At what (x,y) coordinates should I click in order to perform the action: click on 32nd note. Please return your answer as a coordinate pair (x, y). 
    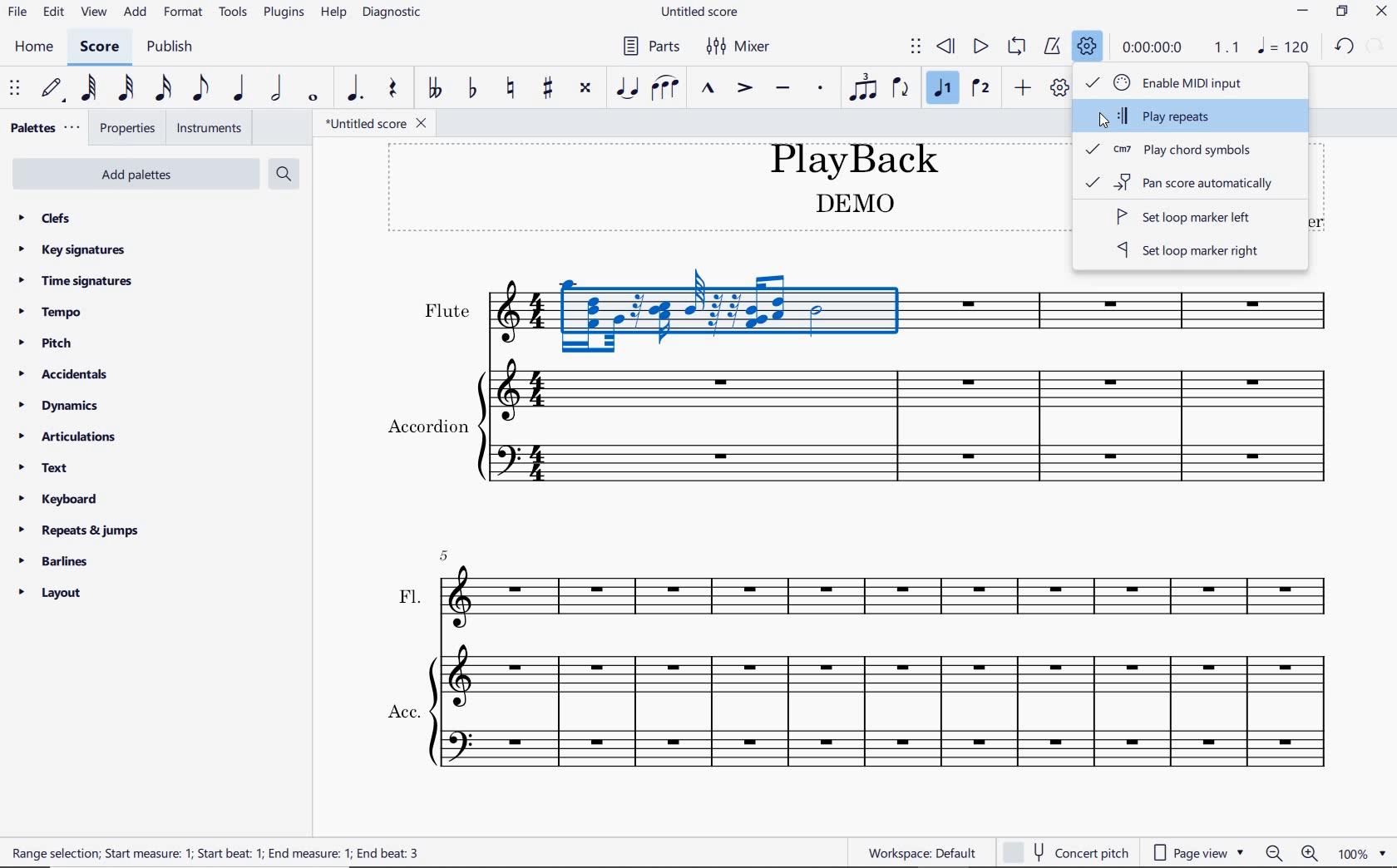
    Looking at the image, I should click on (128, 90).